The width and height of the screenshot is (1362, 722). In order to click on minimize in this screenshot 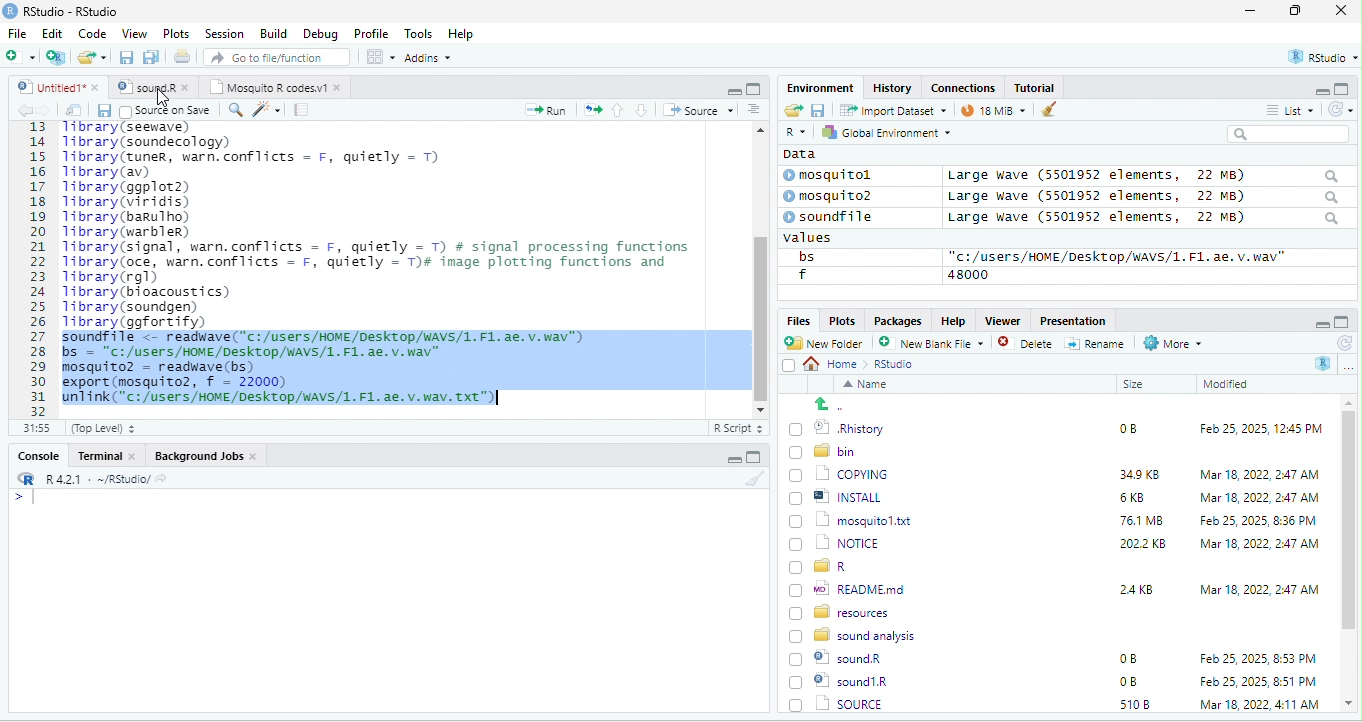, I will do `click(733, 90)`.